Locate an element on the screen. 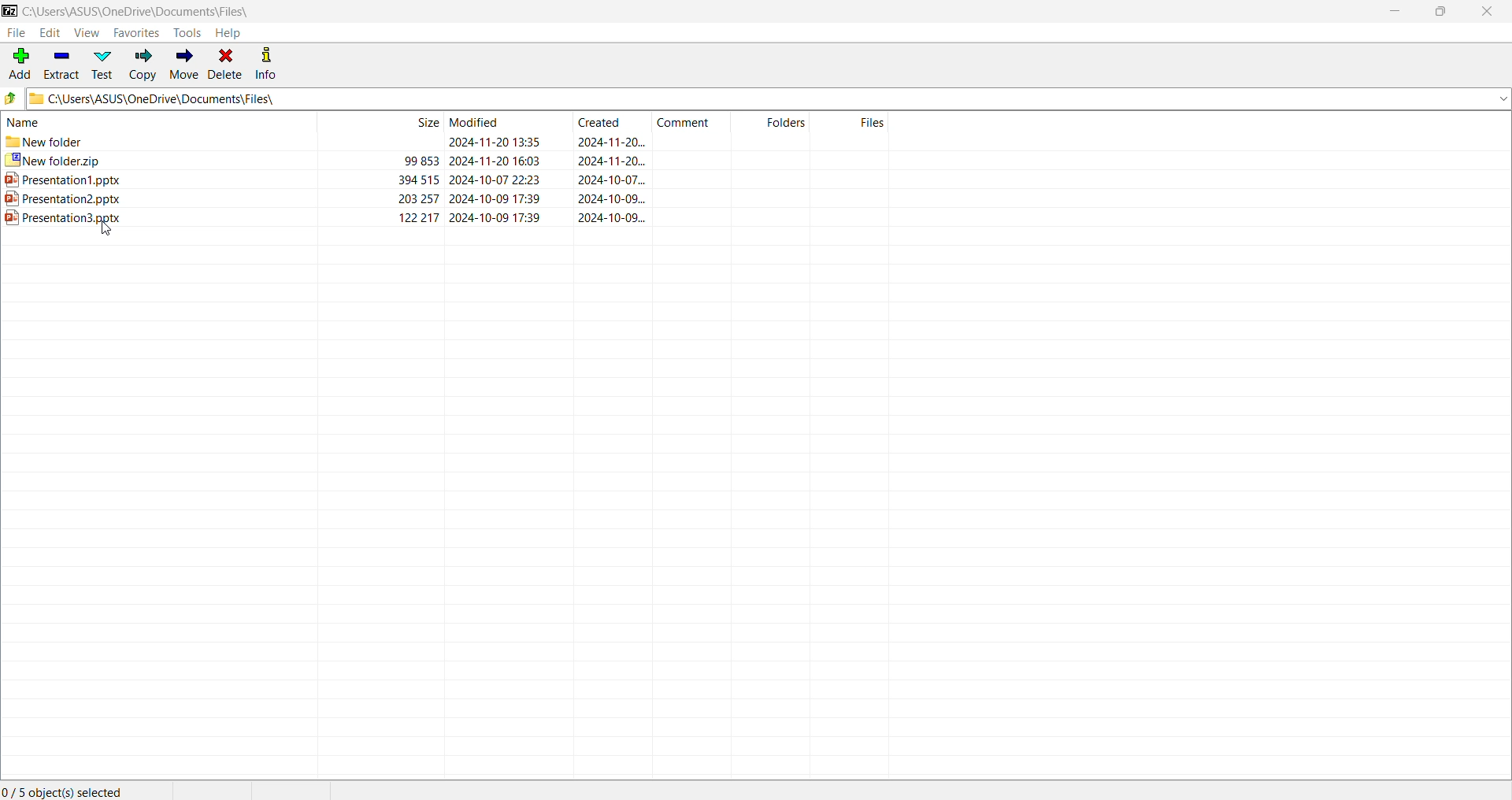 The width and height of the screenshot is (1512, 800). Current Folder Path is located at coordinates (768, 99).